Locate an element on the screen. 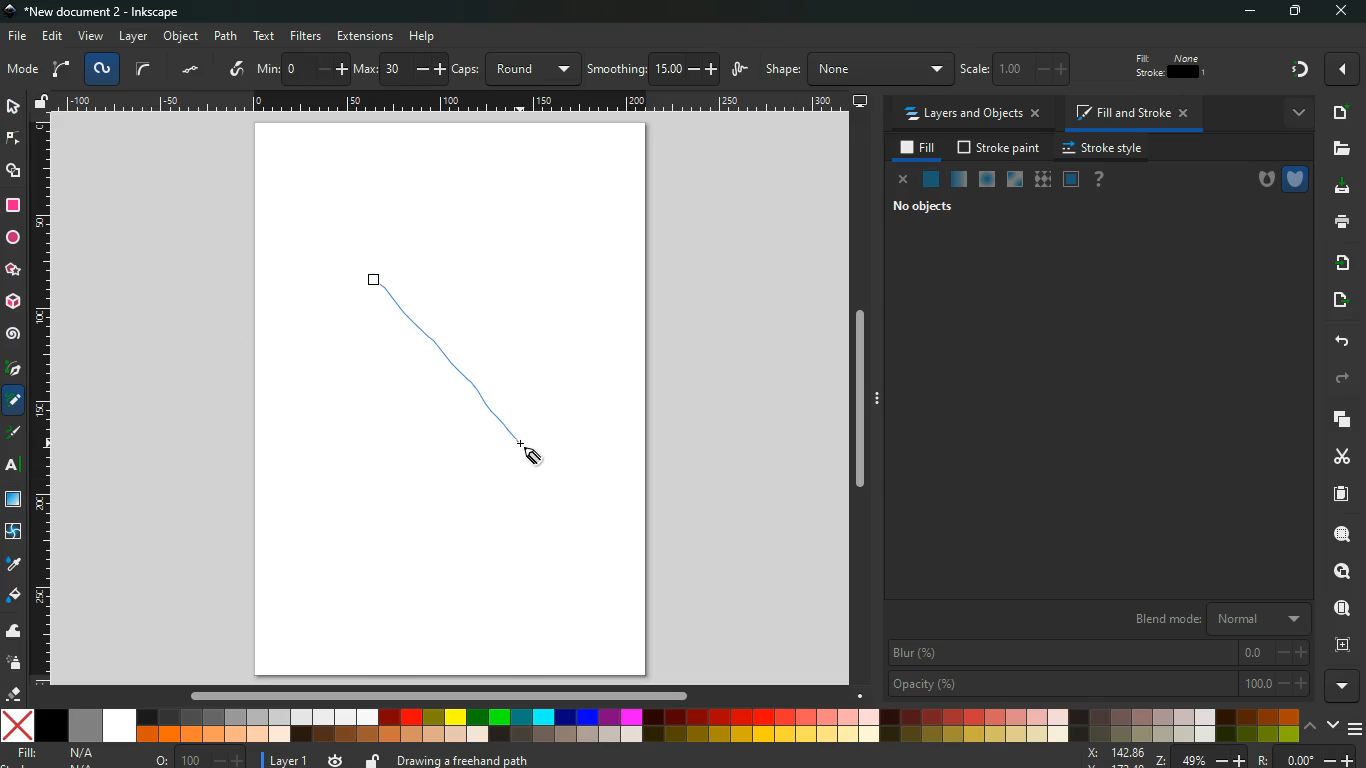 This screenshot has width=1366, height=768. cut is located at coordinates (1339, 457).